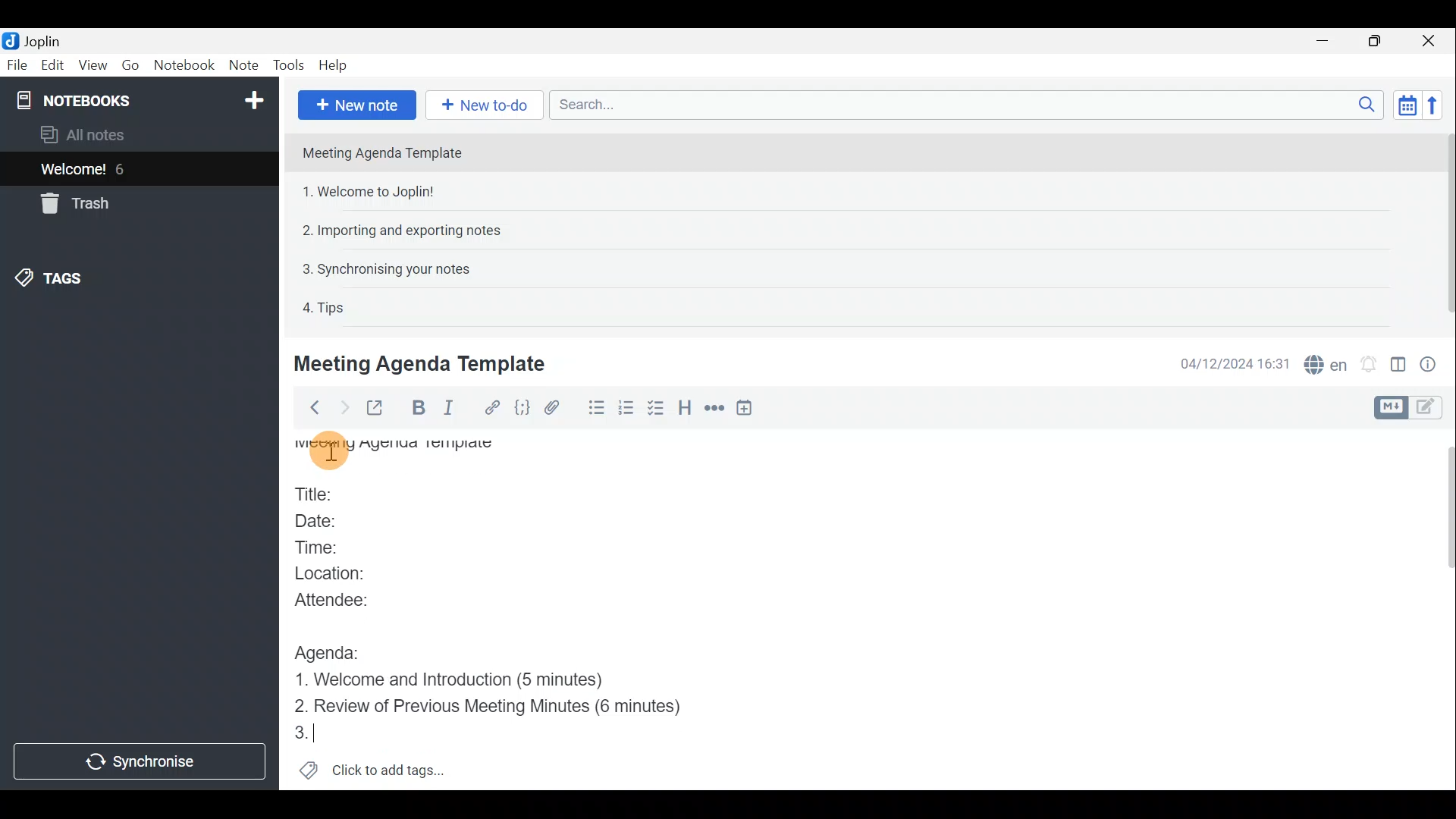 The width and height of the screenshot is (1456, 819). Describe the element at coordinates (347, 600) in the screenshot. I see `Attendee:` at that location.